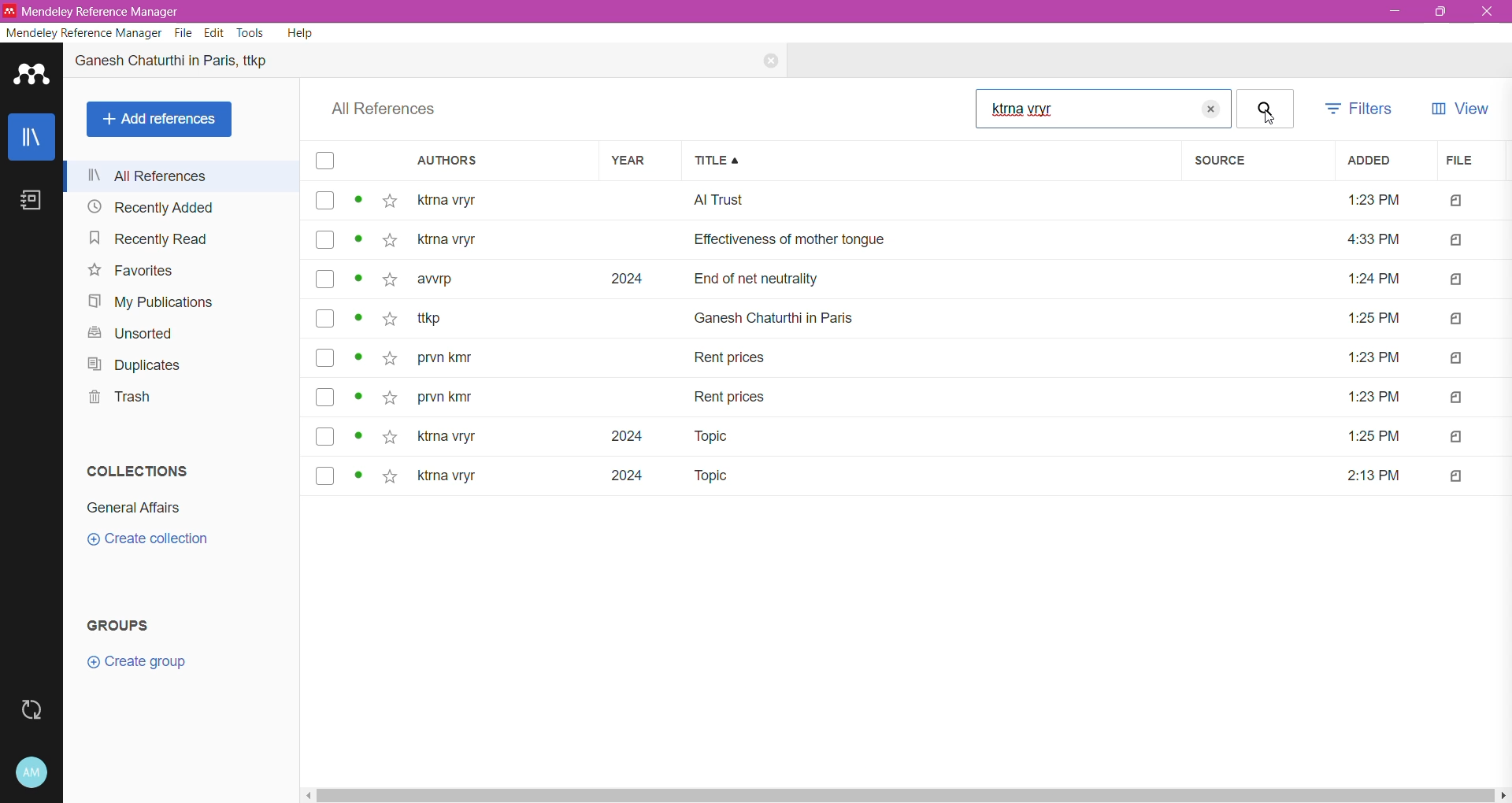 The width and height of the screenshot is (1512, 803). I want to click on file type, so click(1455, 320).